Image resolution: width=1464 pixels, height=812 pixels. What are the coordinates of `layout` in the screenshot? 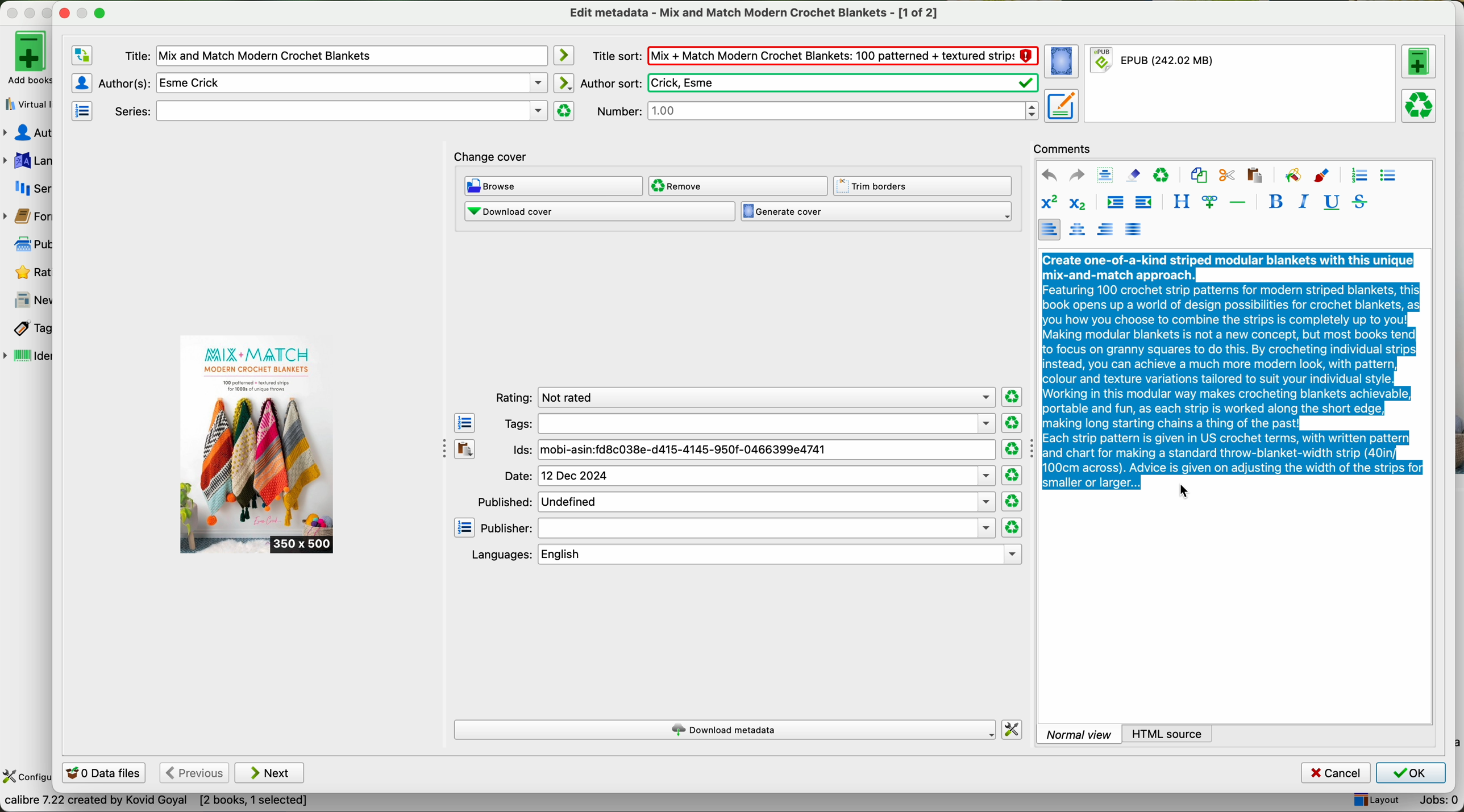 It's located at (1375, 801).